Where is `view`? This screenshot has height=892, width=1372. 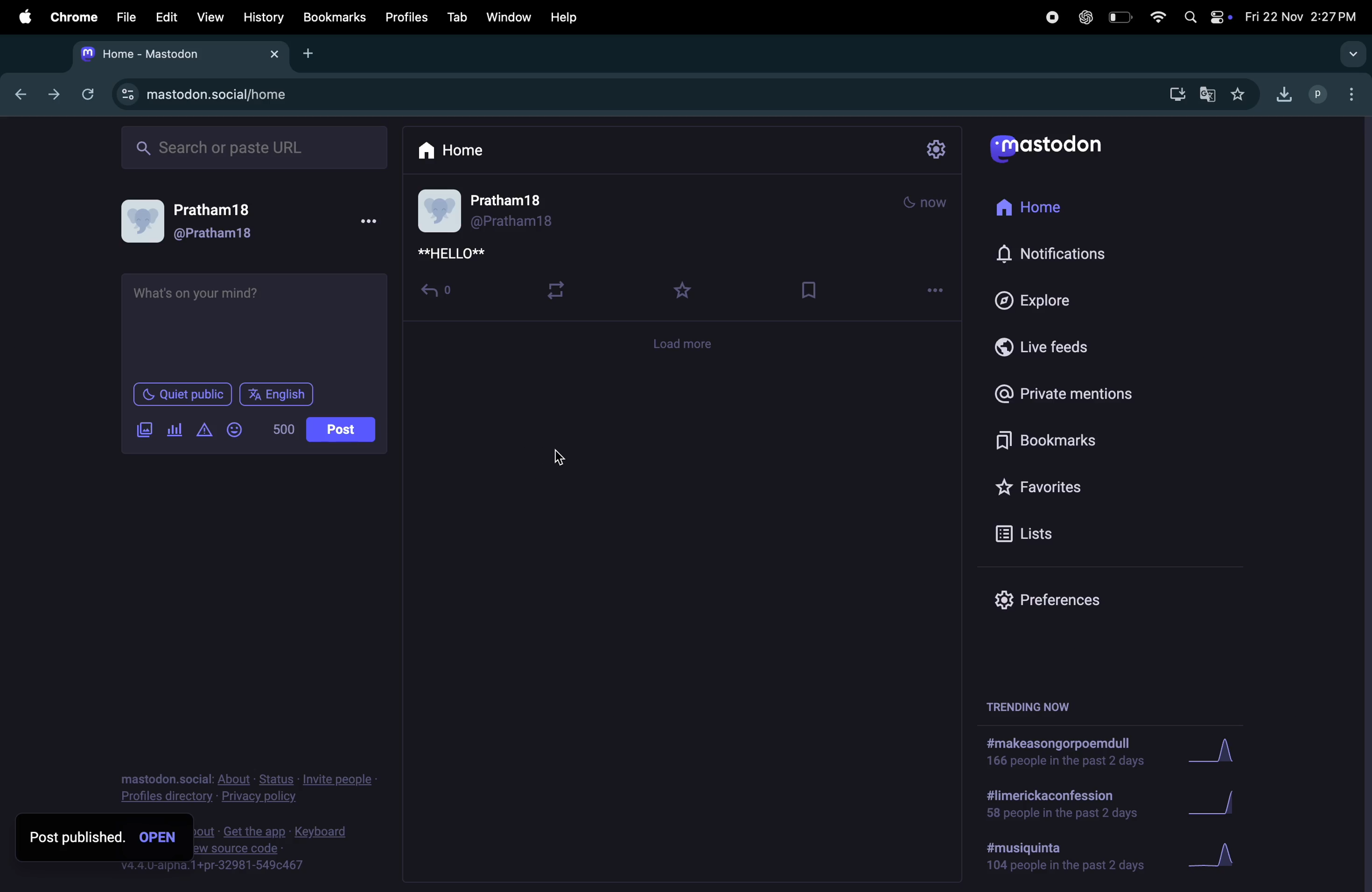 view is located at coordinates (209, 16).